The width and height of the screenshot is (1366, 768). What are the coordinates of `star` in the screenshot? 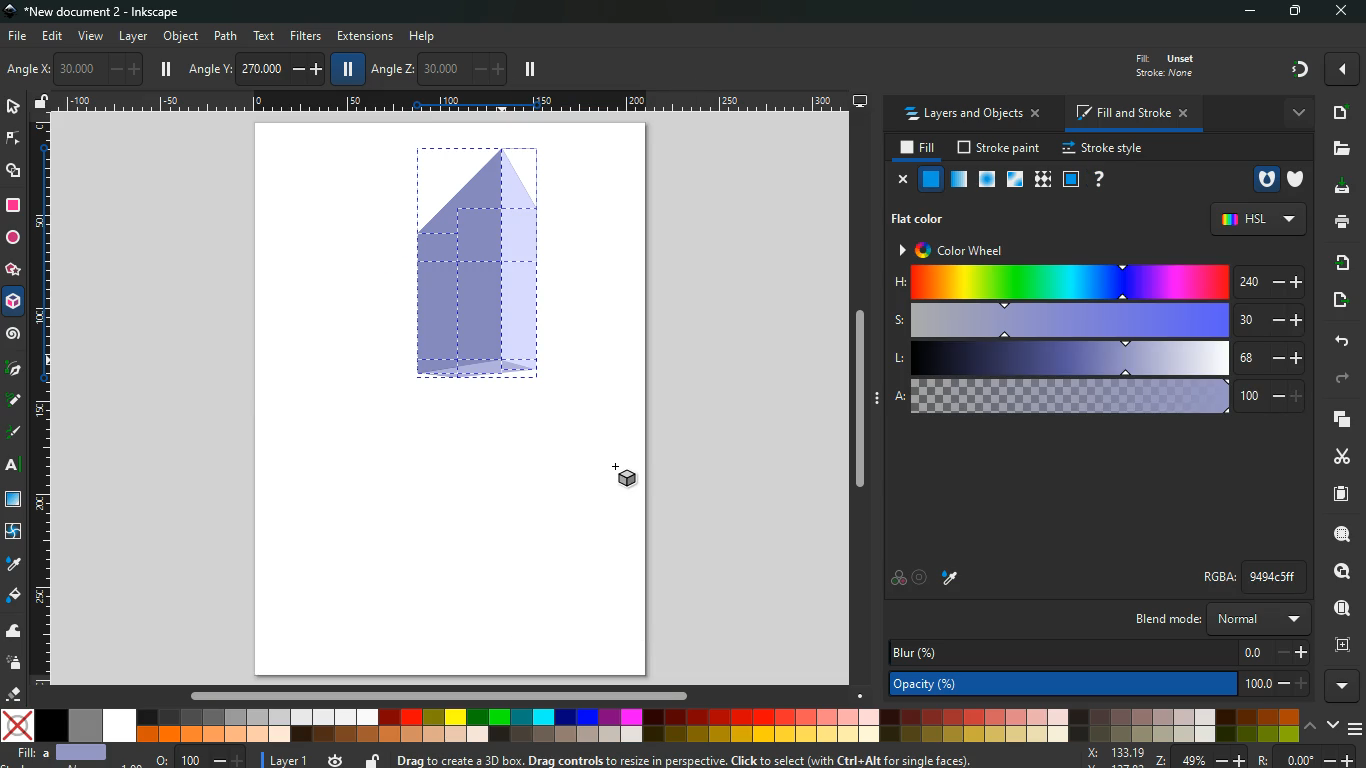 It's located at (12, 272).